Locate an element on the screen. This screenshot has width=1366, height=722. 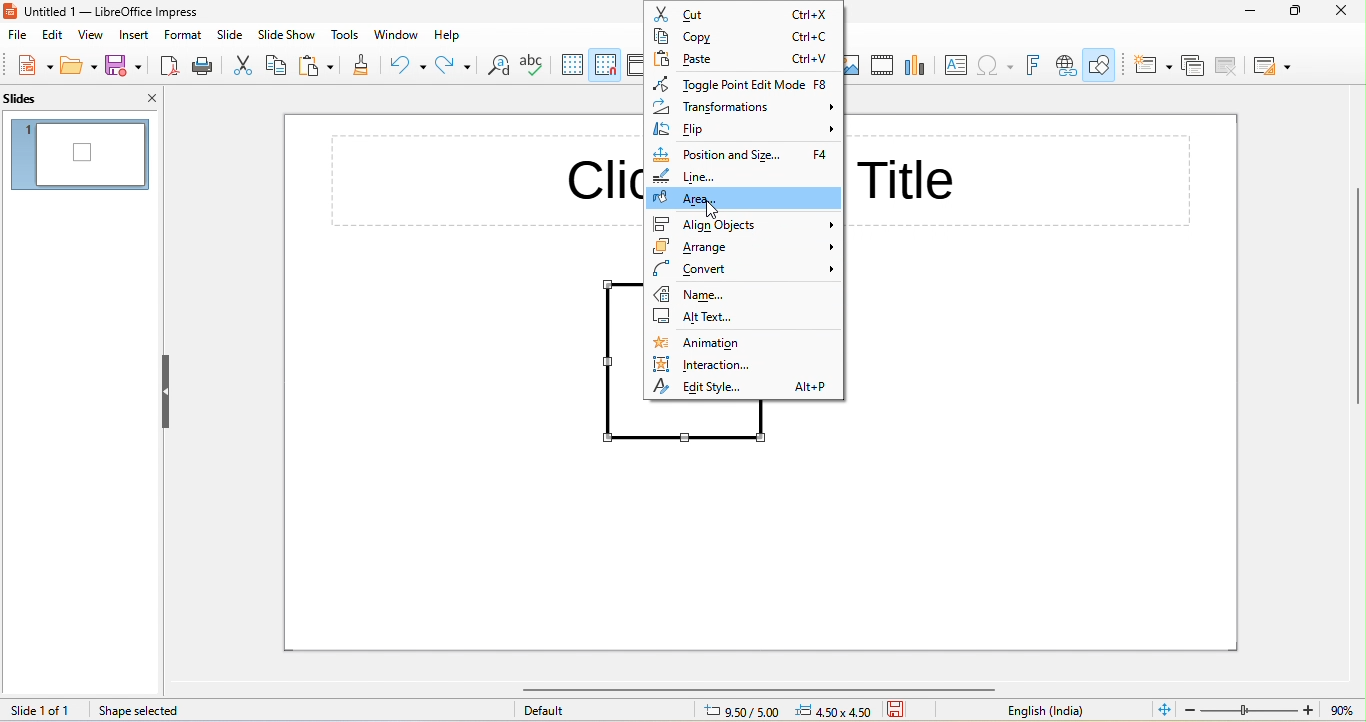
paste is located at coordinates (700, 61).